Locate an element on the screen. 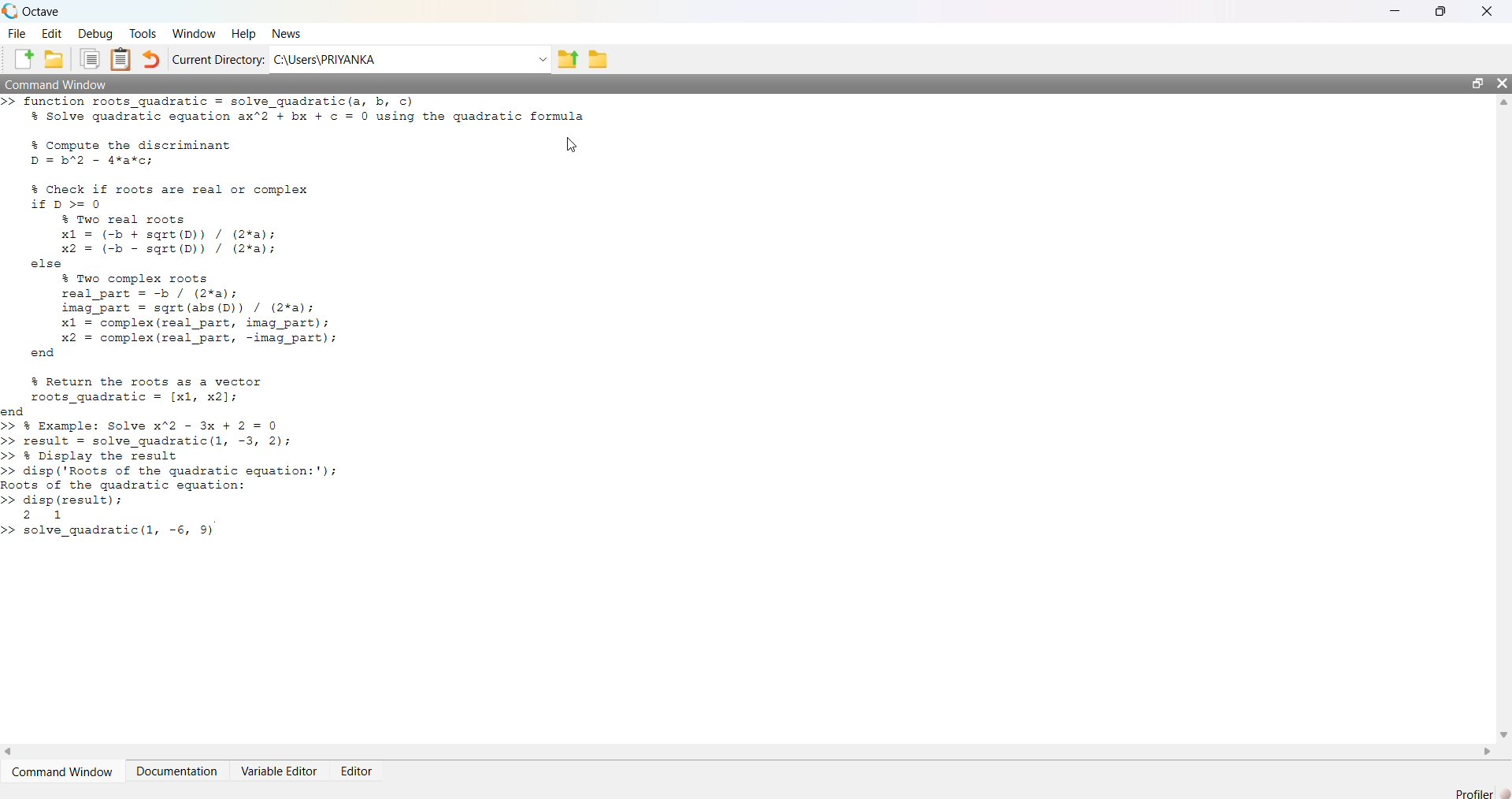  Help is located at coordinates (241, 34).